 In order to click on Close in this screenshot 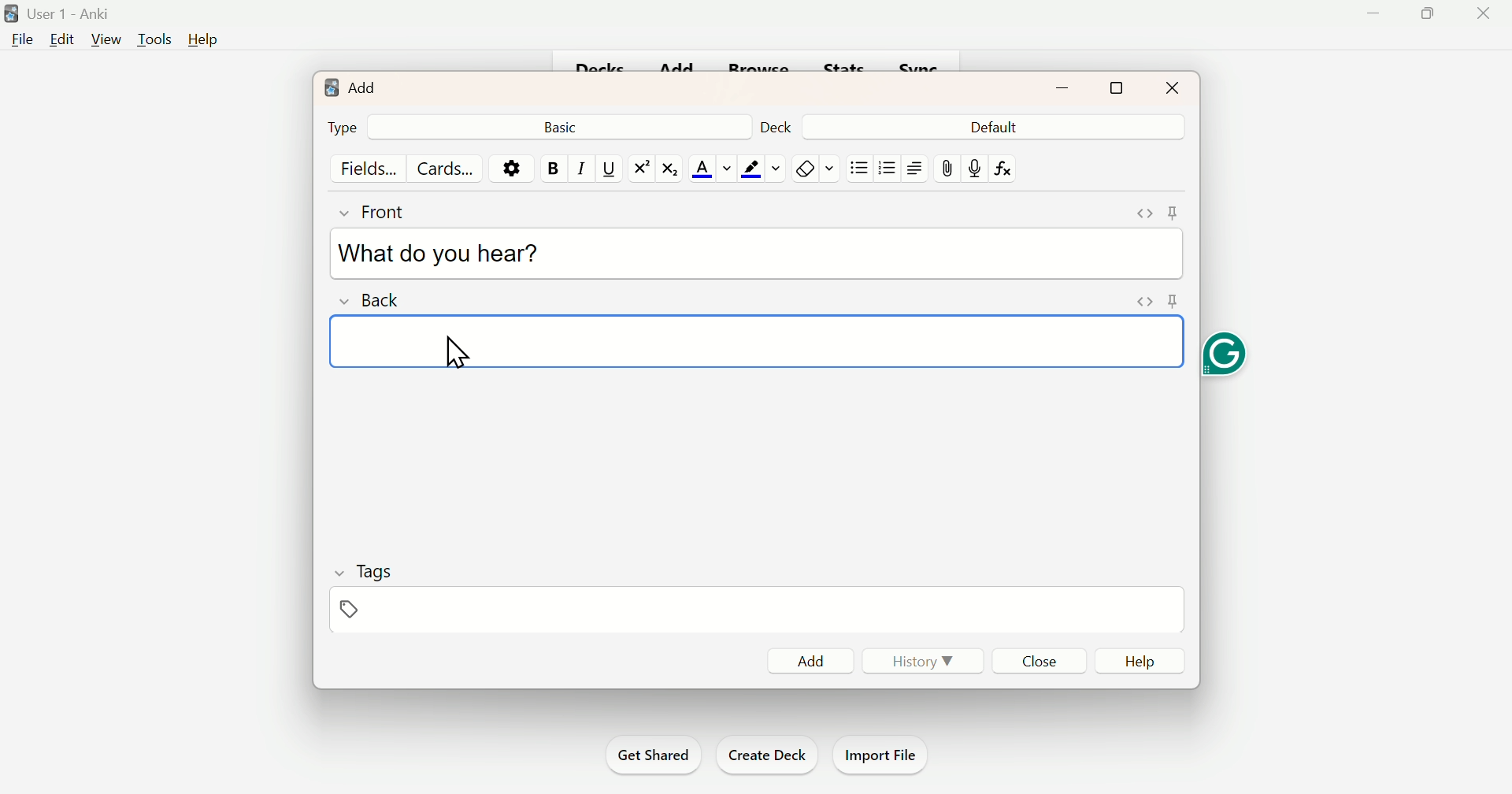, I will do `click(1036, 660)`.